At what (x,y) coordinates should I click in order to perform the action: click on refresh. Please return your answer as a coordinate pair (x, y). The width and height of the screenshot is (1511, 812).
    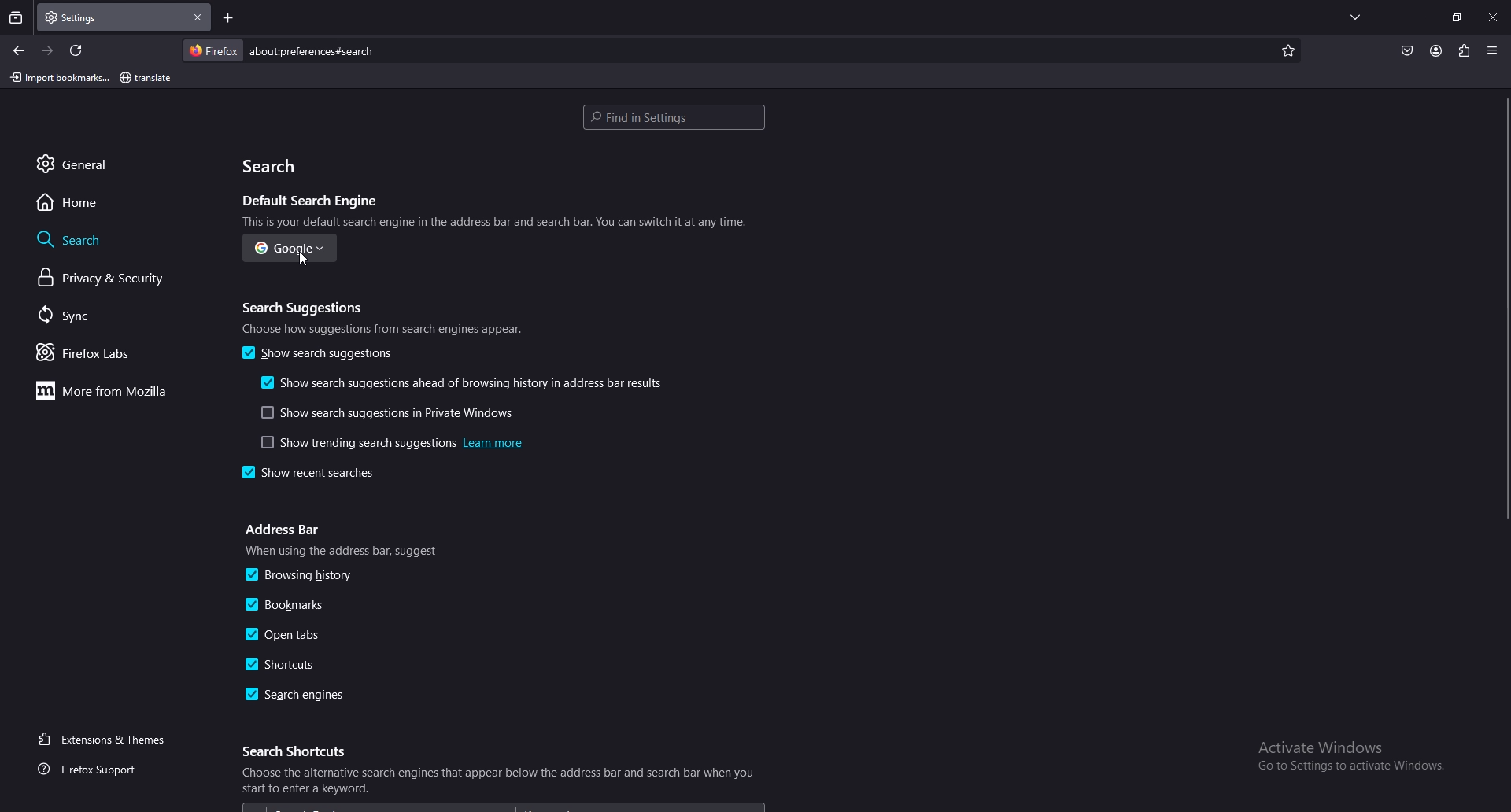
    Looking at the image, I should click on (79, 50).